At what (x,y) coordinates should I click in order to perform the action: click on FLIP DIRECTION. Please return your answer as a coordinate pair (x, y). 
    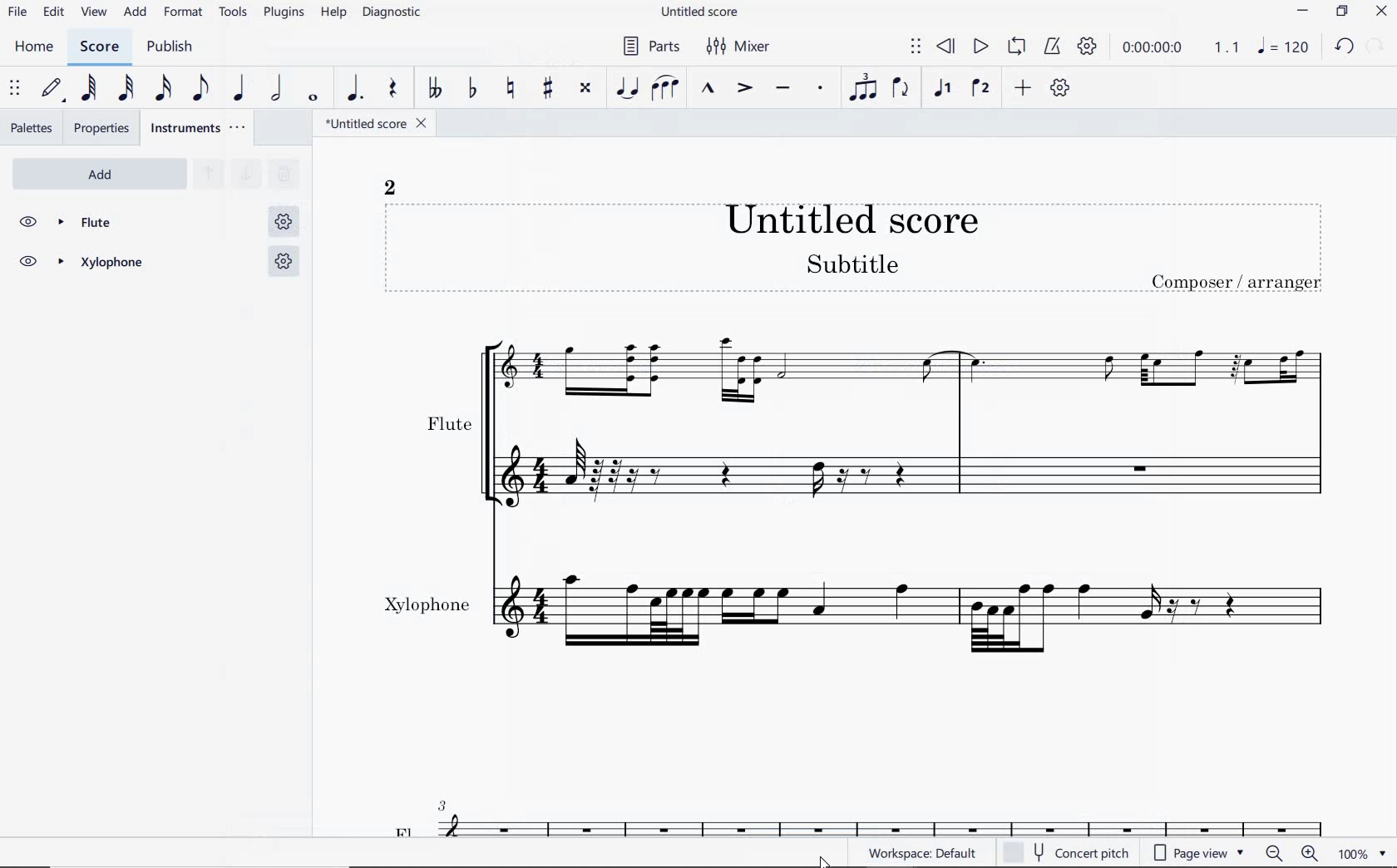
    Looking at the image, I should click on (901, 91).